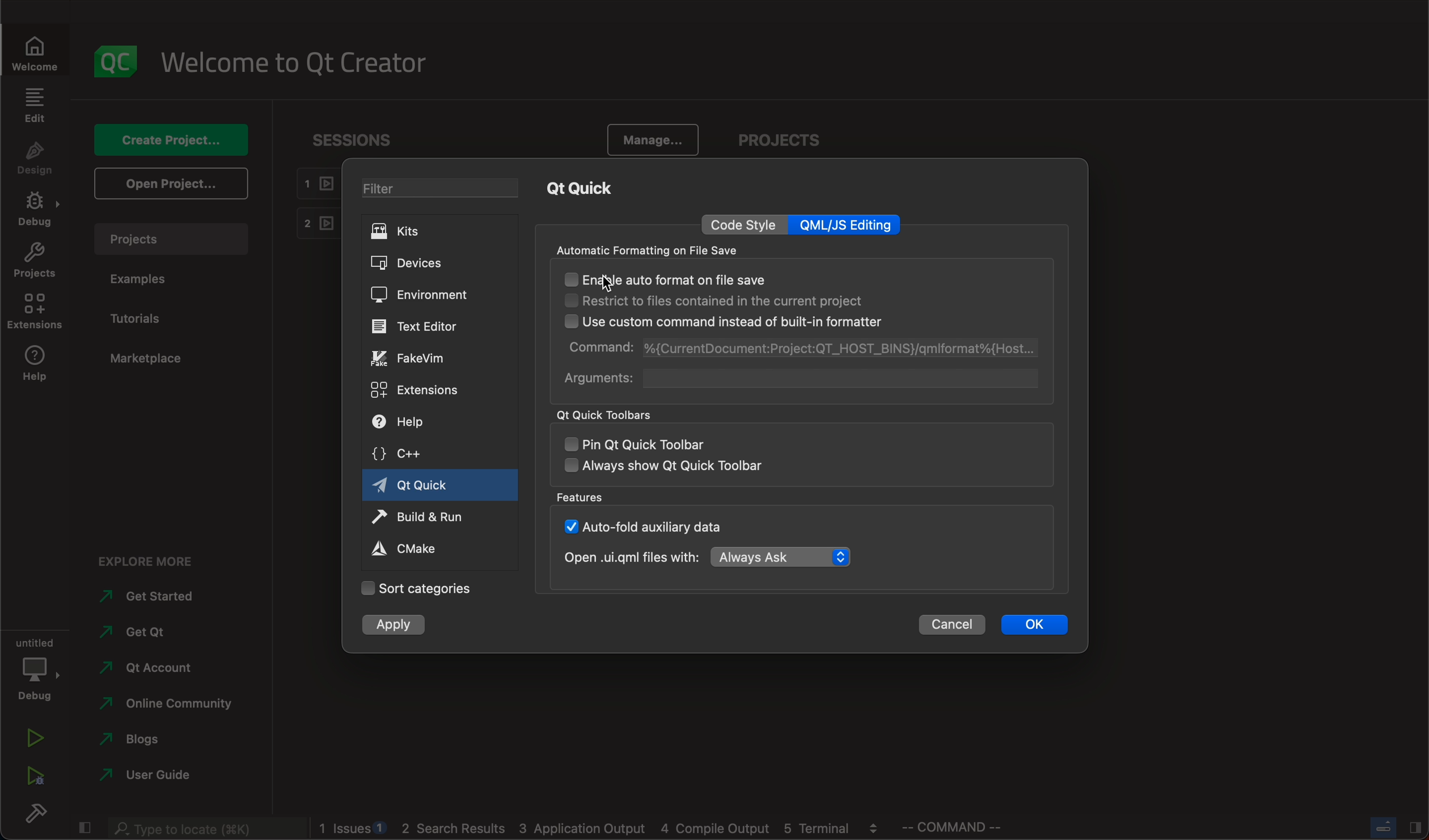 The image size is (1429, 840). What do you see at coordinates (422, 589) in the screenshot?
I see `categories` at bounding box center [422, 589].